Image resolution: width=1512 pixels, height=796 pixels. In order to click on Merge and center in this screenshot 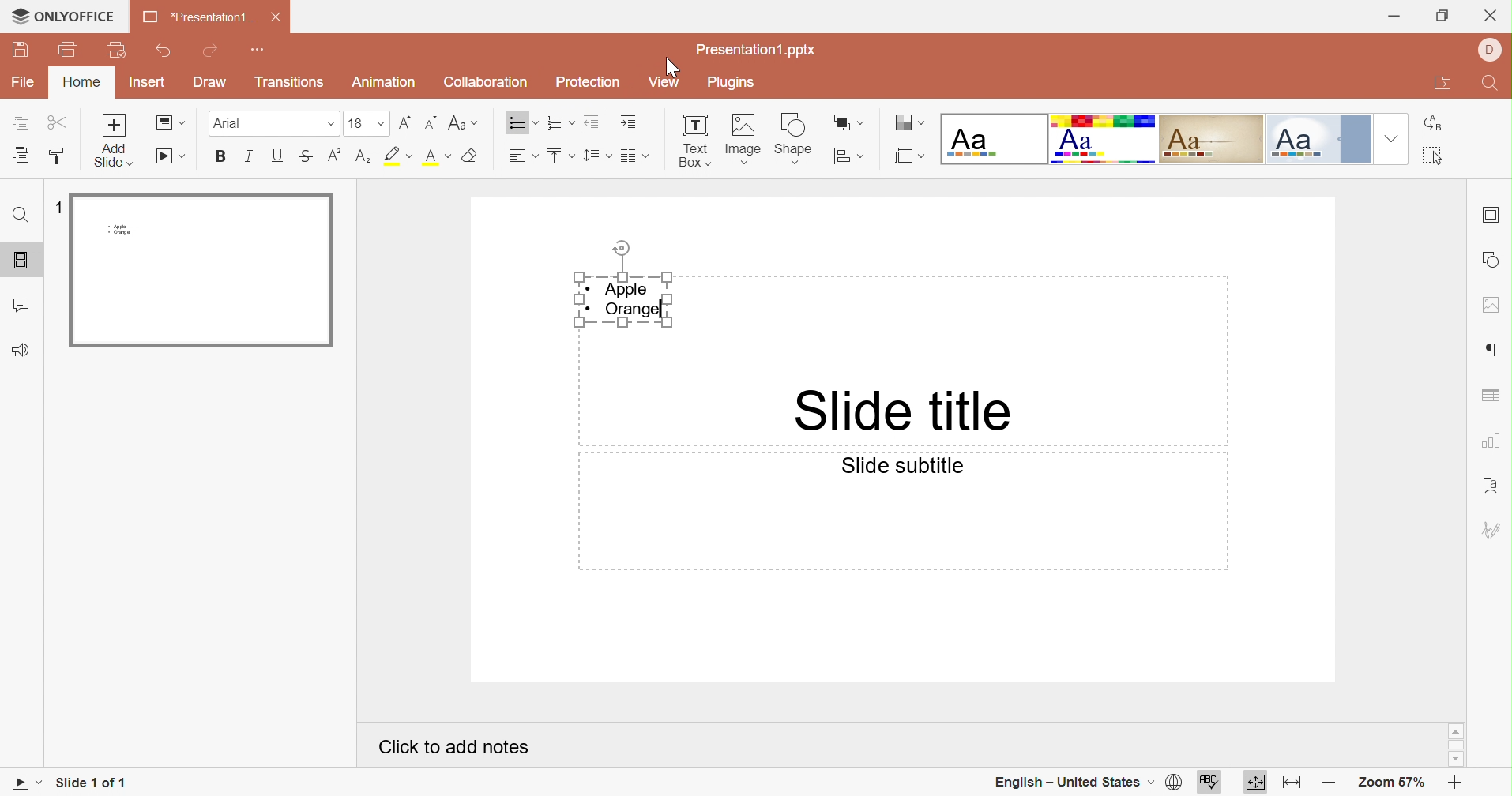, I will do `click(629, 156)`.